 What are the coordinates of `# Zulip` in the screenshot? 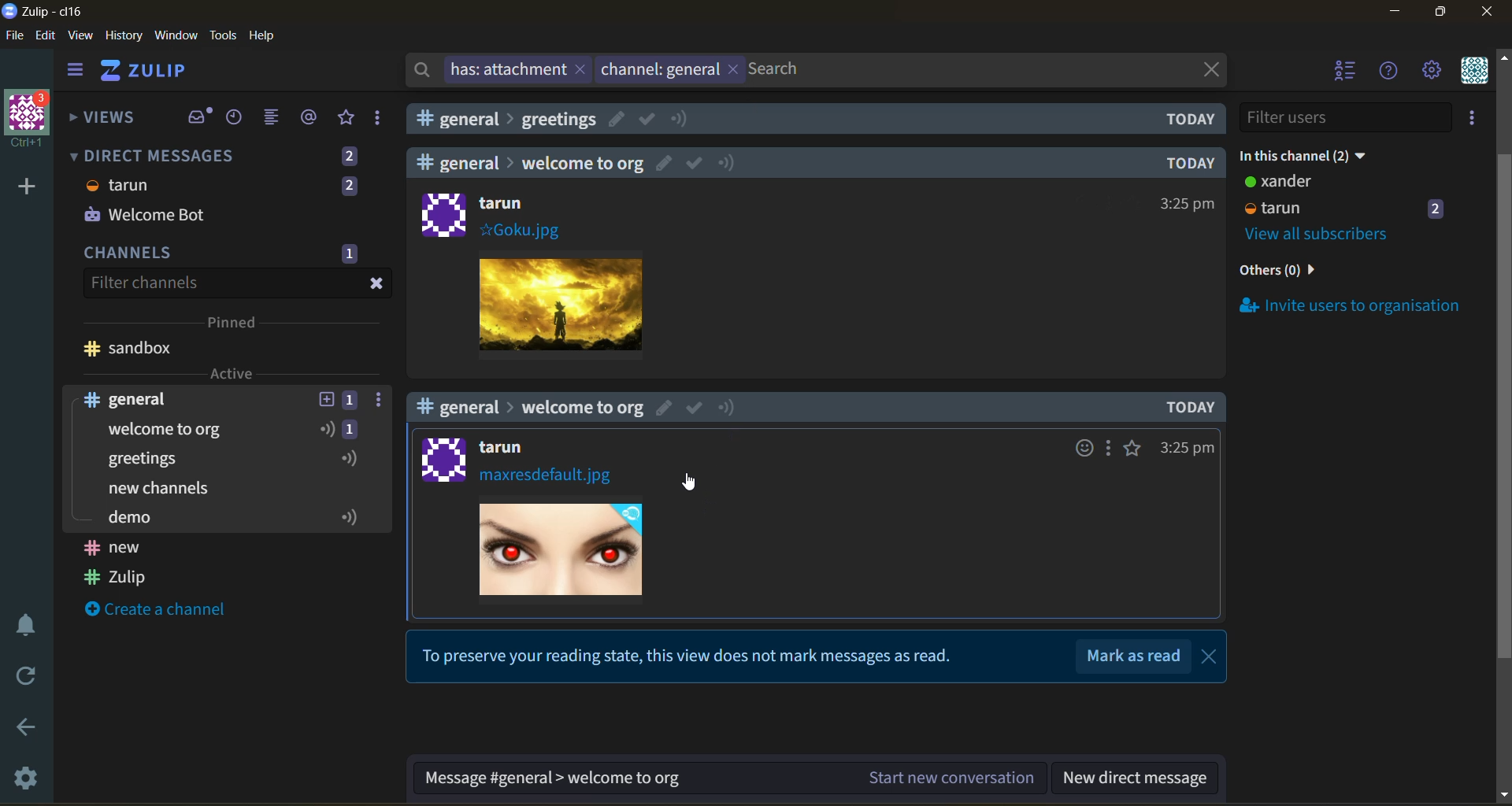 It's located at (117, 579).